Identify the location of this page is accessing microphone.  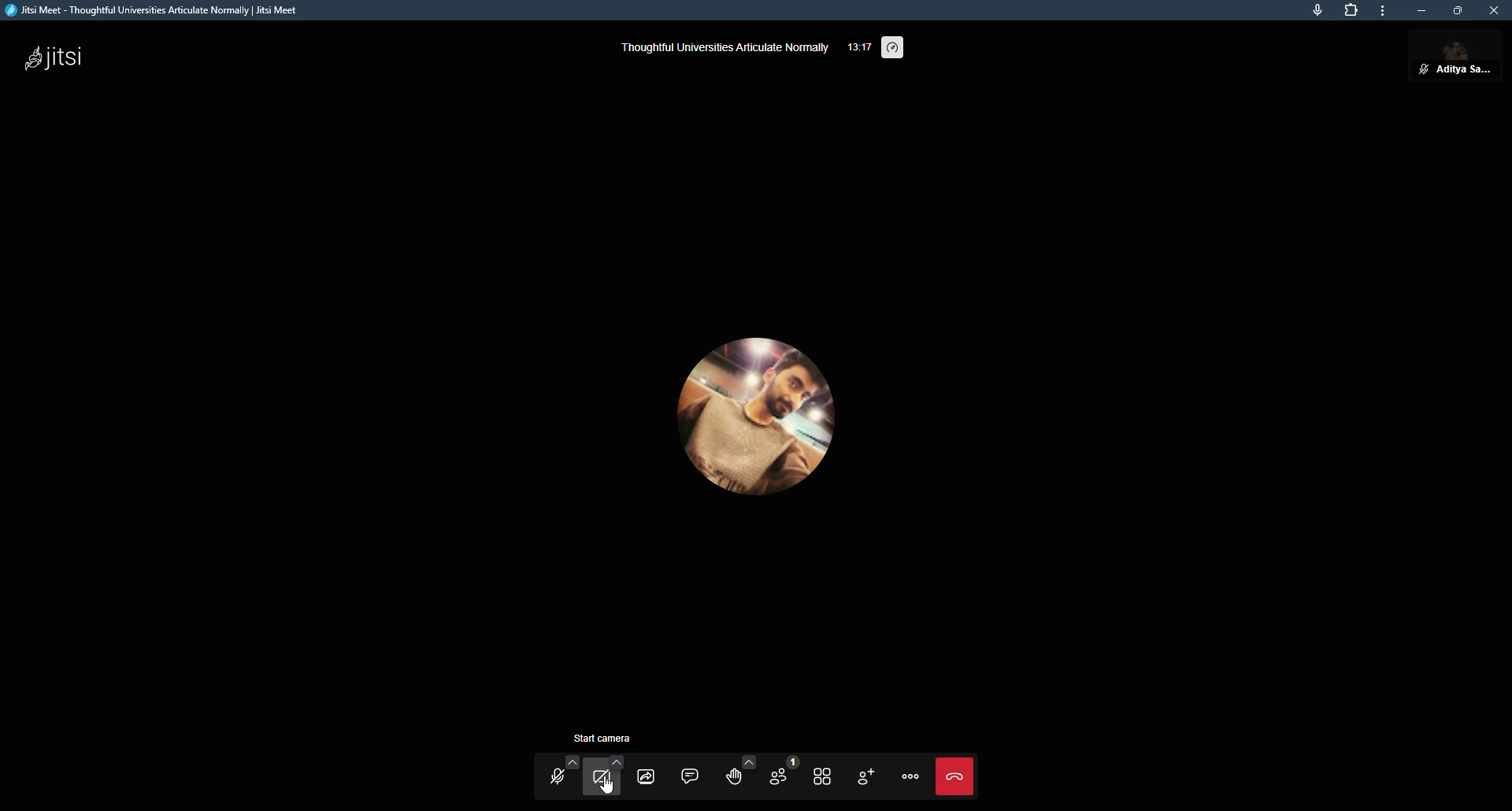
(1314, 11).